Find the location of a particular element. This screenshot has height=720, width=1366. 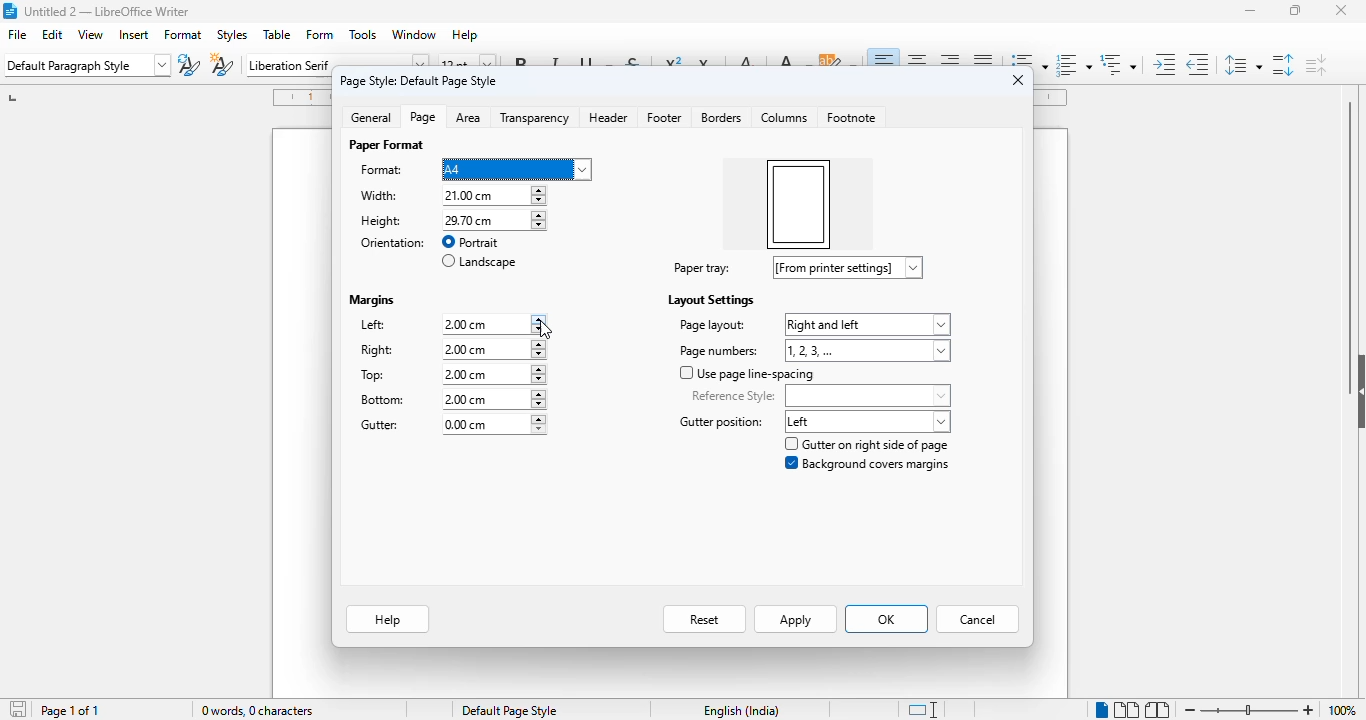

table is located at coordinates (278, 34).